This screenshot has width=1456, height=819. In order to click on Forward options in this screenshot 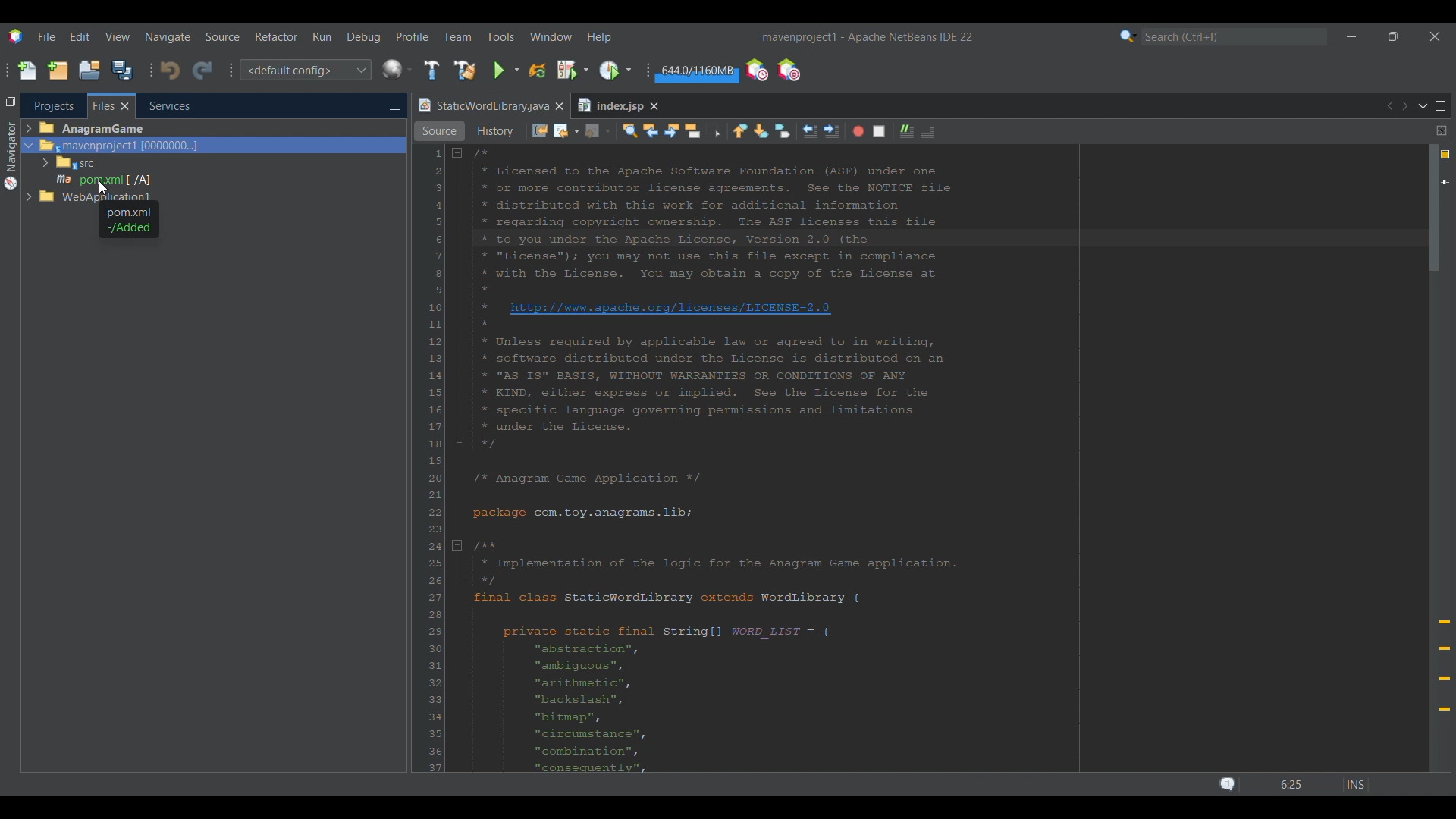, I will do `click(597, 132)`.